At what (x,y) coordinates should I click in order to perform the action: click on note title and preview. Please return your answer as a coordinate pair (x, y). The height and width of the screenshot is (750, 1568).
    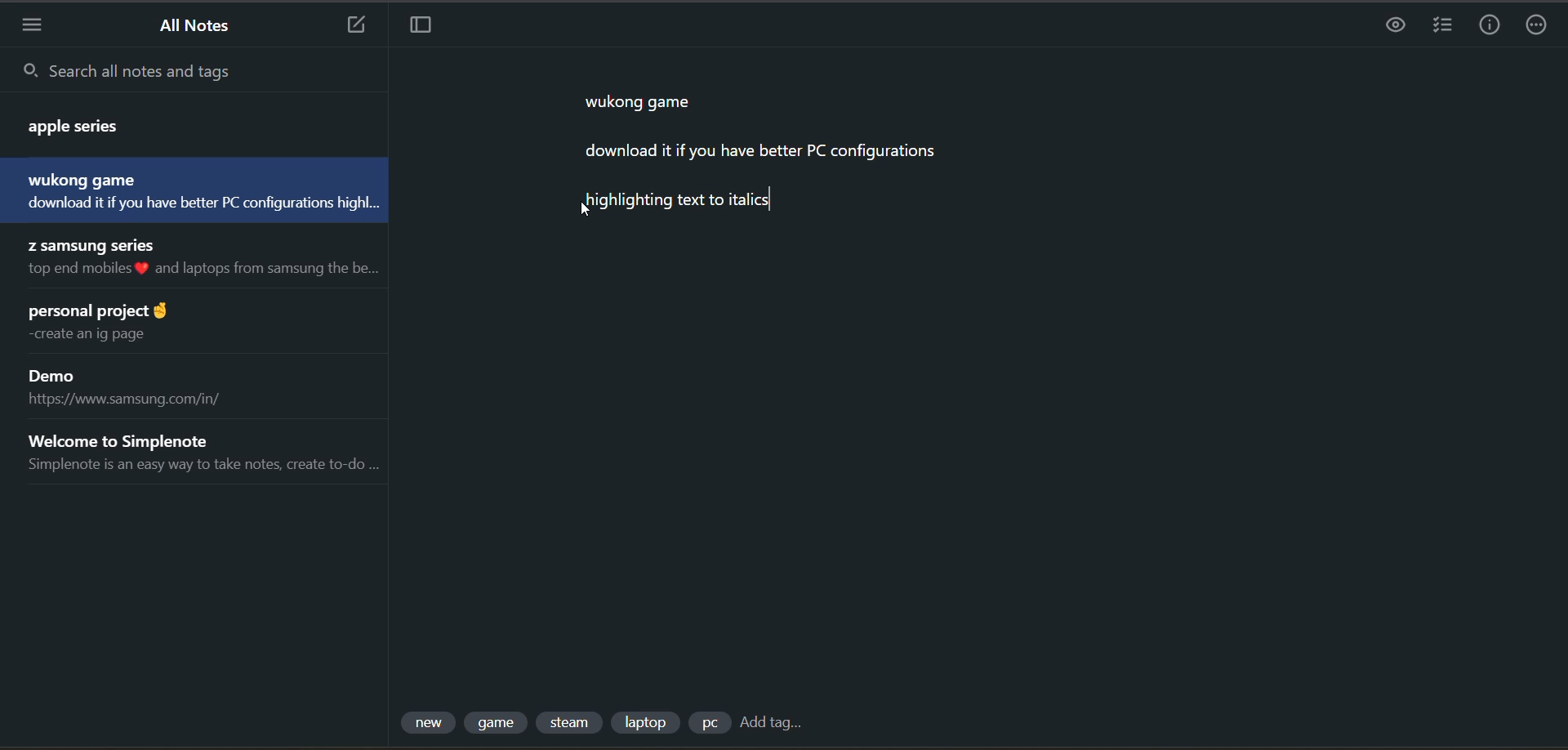
    Looking at the image, I should click on (122, 324).